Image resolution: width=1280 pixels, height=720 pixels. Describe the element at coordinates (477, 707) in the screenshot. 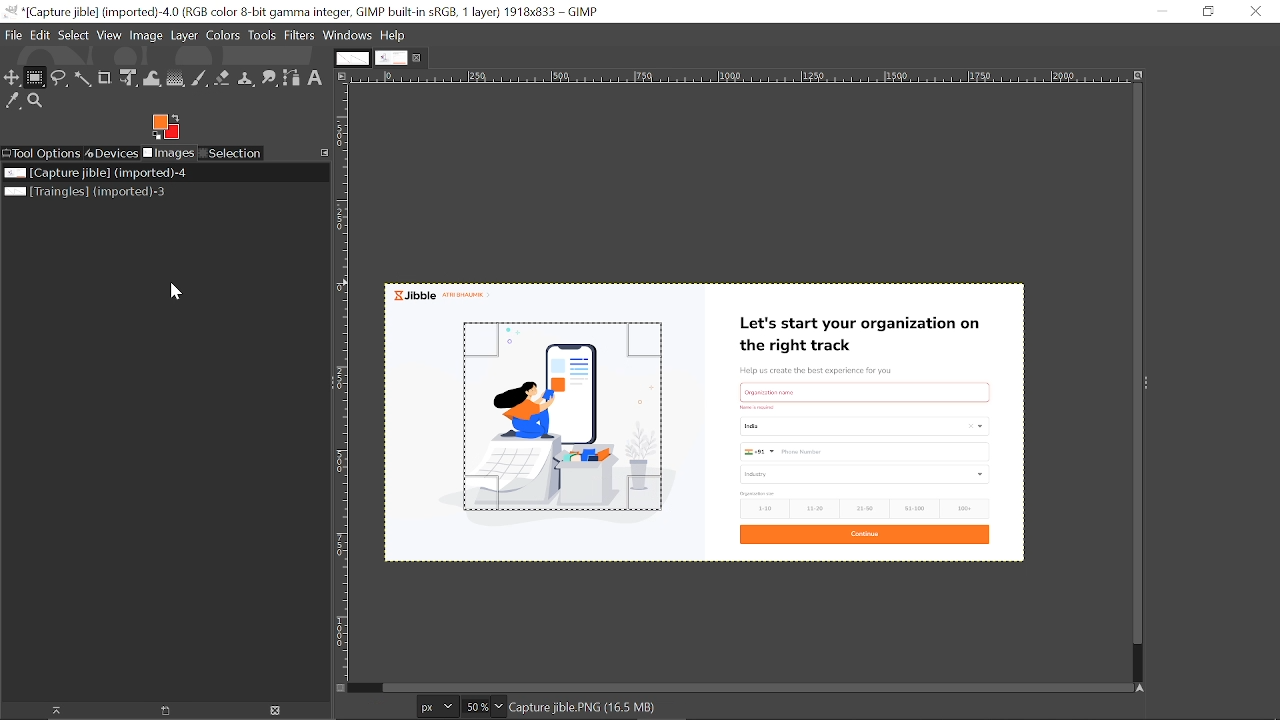

I see `Current zoom` at that location.